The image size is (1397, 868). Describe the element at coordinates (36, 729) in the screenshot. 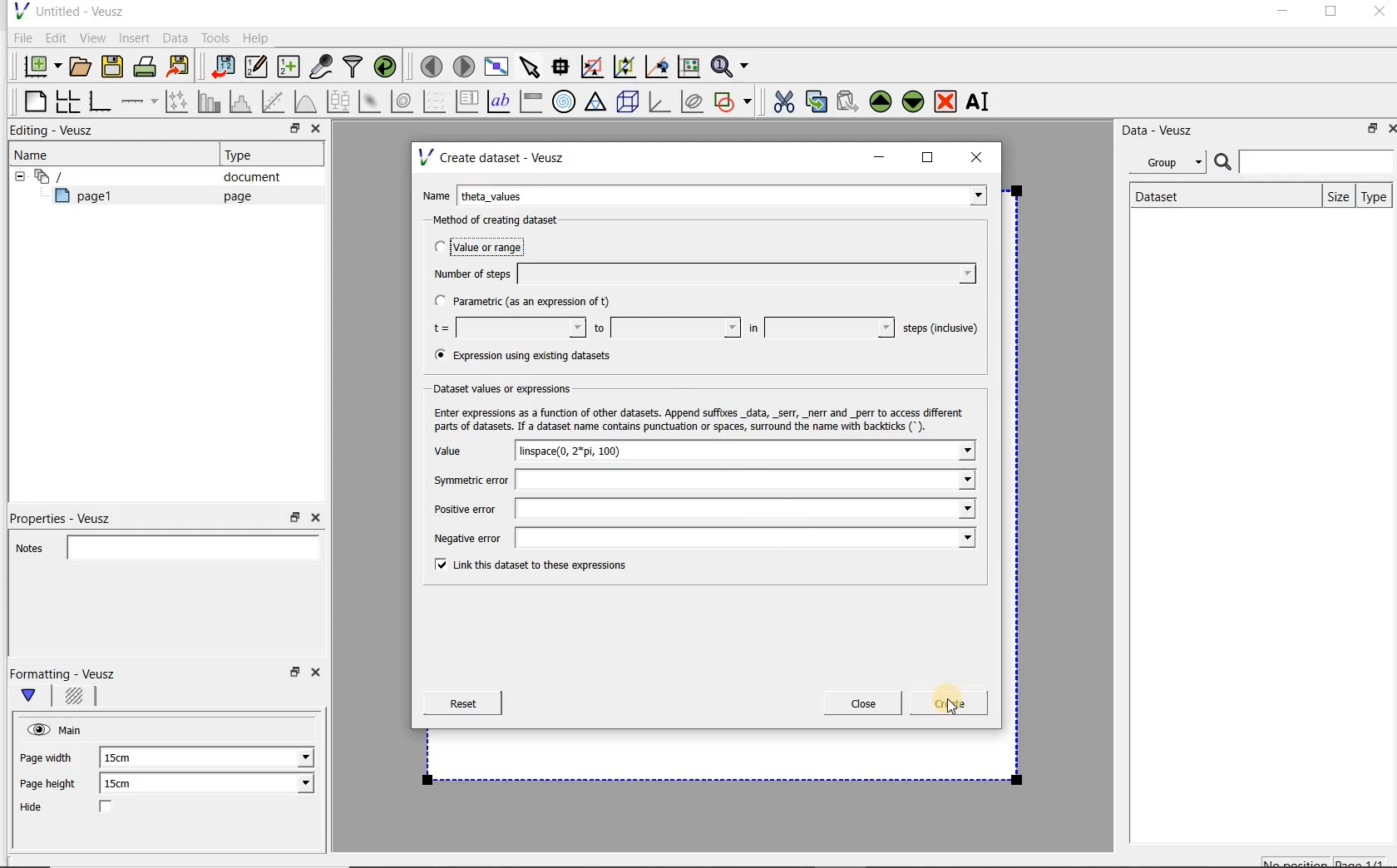

I see `visible (click to hide, set Hide to true)` at that location.